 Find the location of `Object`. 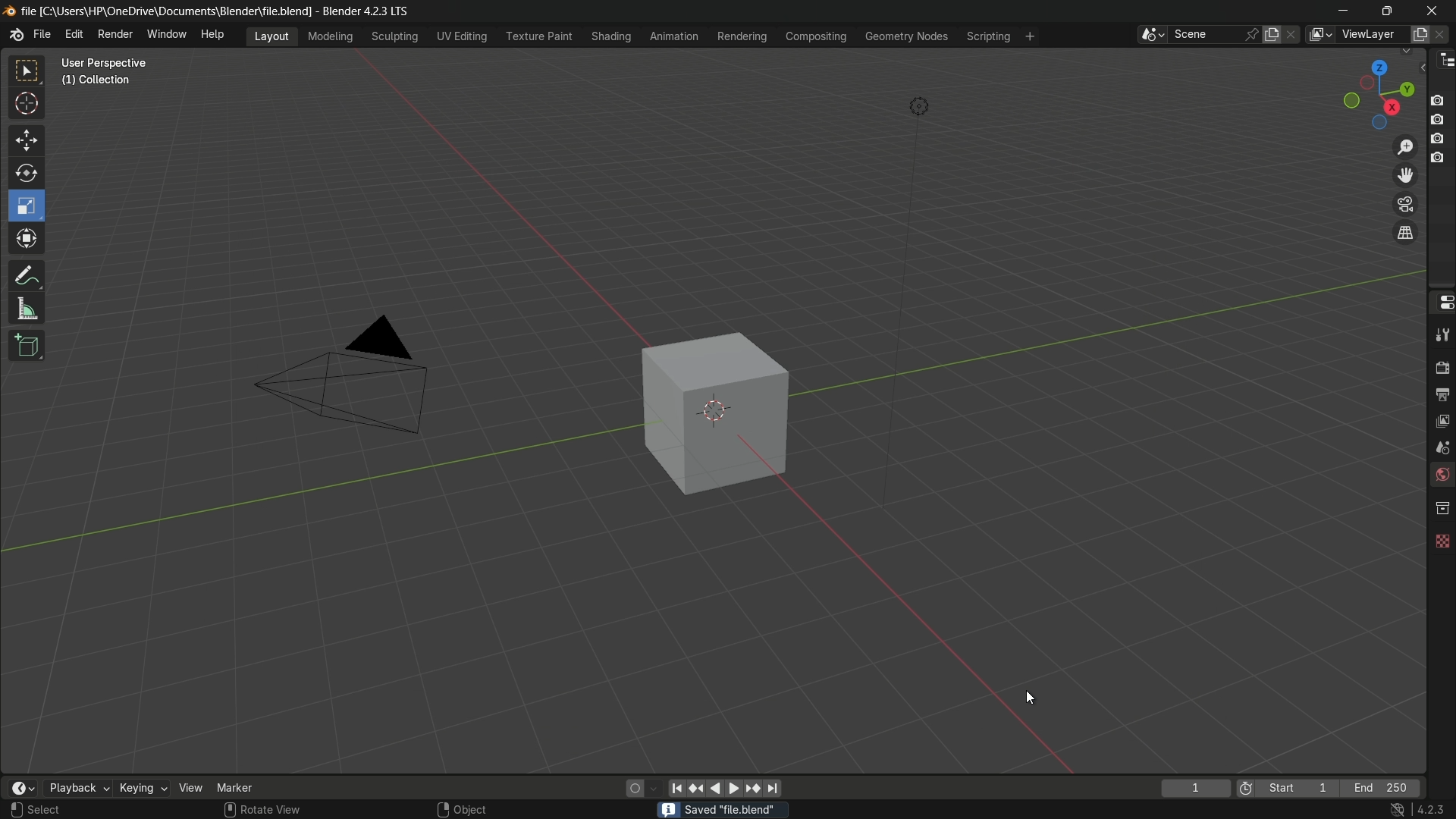

Object is located at coordinates (480, 805).